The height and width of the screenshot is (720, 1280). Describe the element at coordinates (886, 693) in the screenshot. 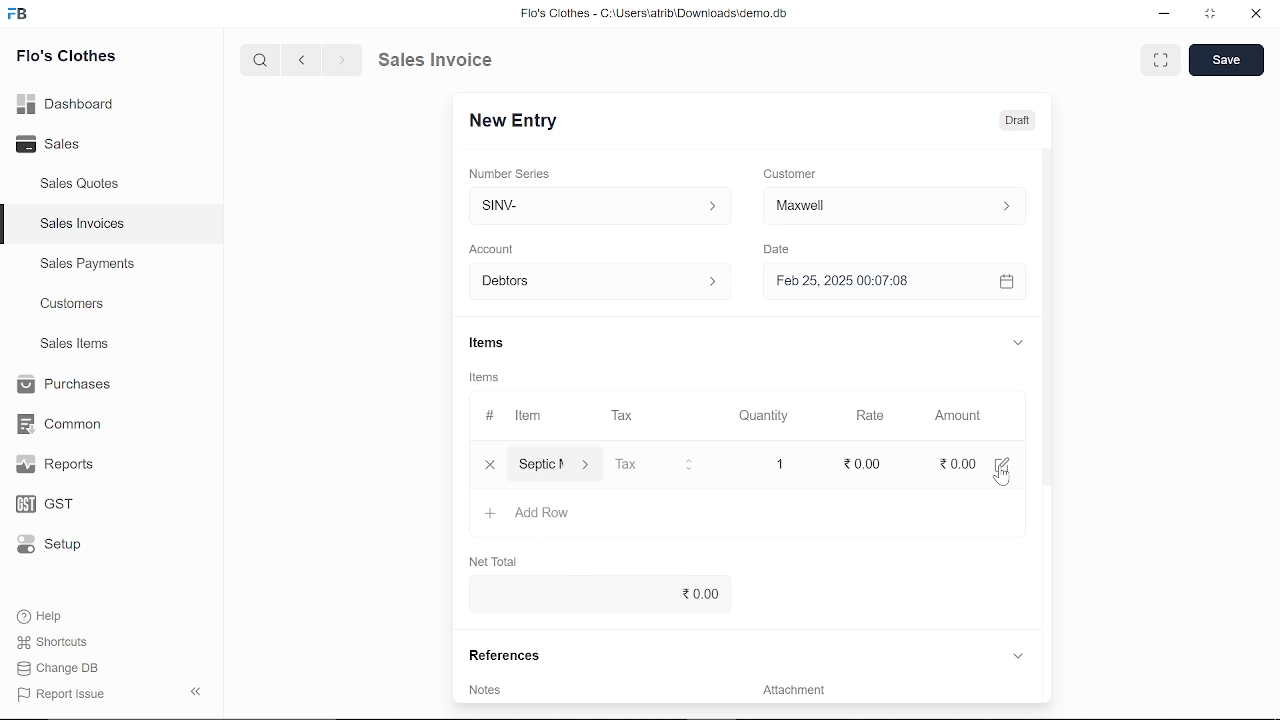

I see `Add attachment` at that location.